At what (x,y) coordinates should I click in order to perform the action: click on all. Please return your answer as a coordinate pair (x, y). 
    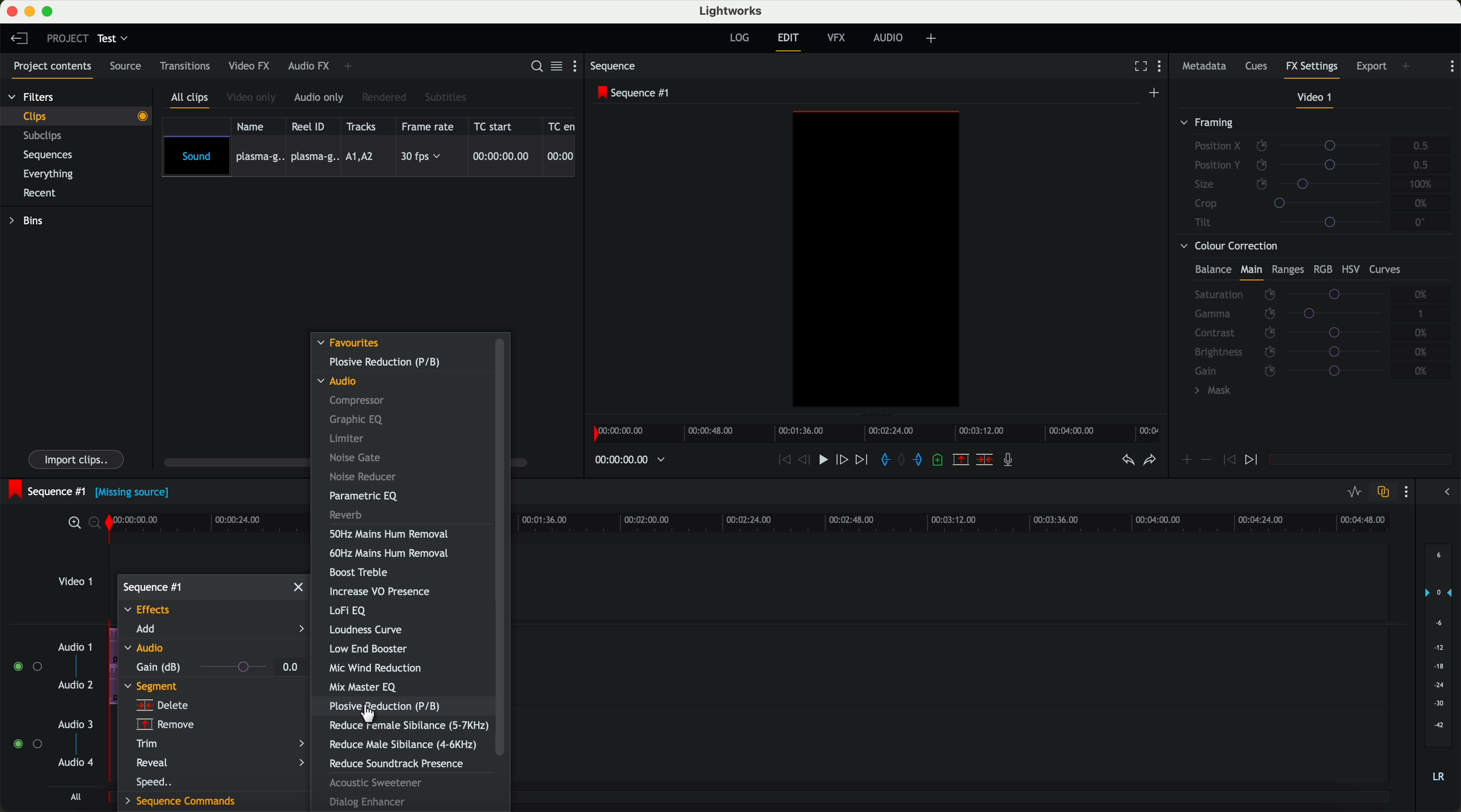
    Looking at the image, I should click on (74, 798).